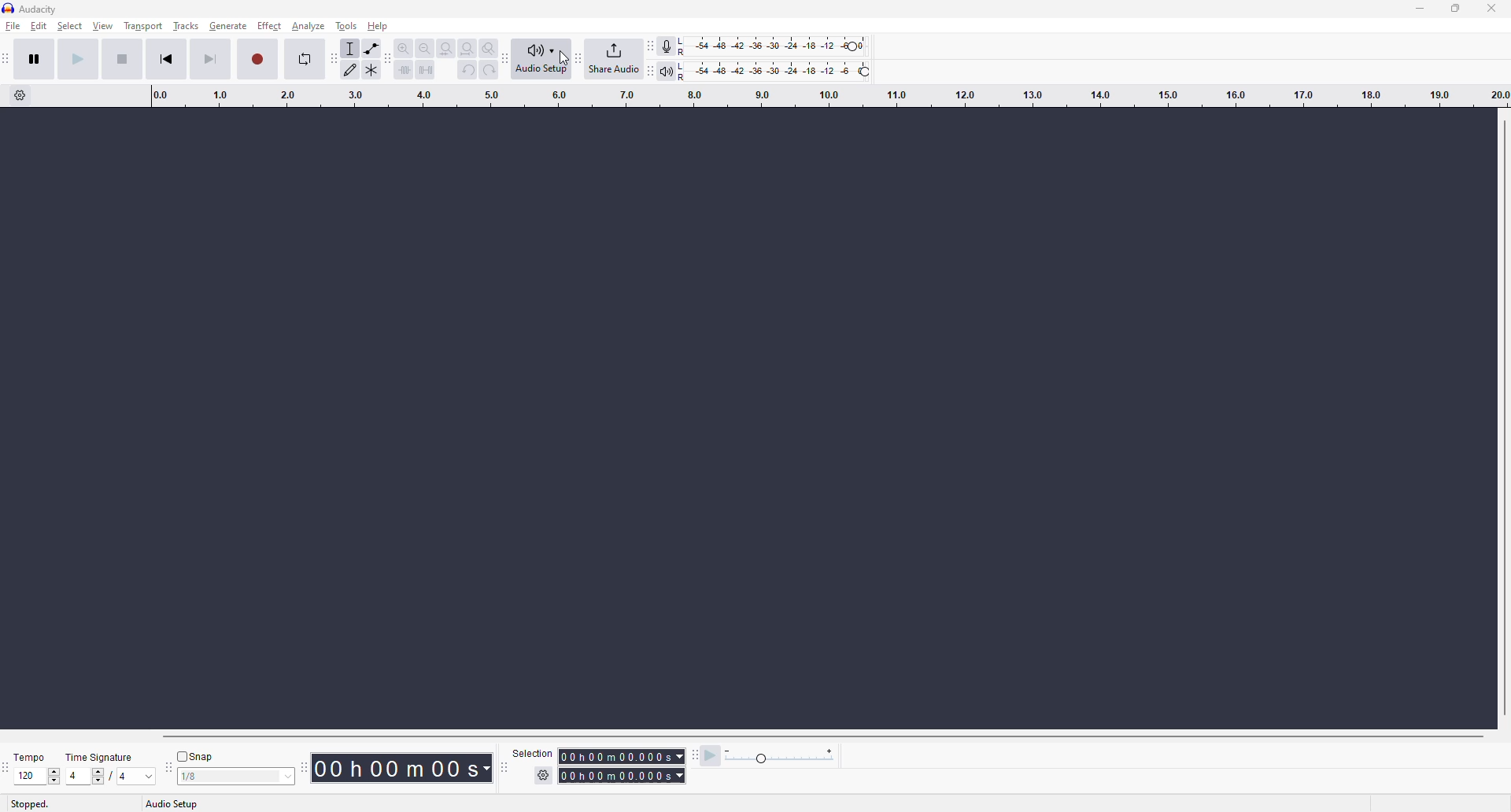 The width and height of the screenshot is (1511, 812). What do you see at coordinates (1418, 10) in the screenshot?
I see `minimize` at bounding box center [1418, 10].